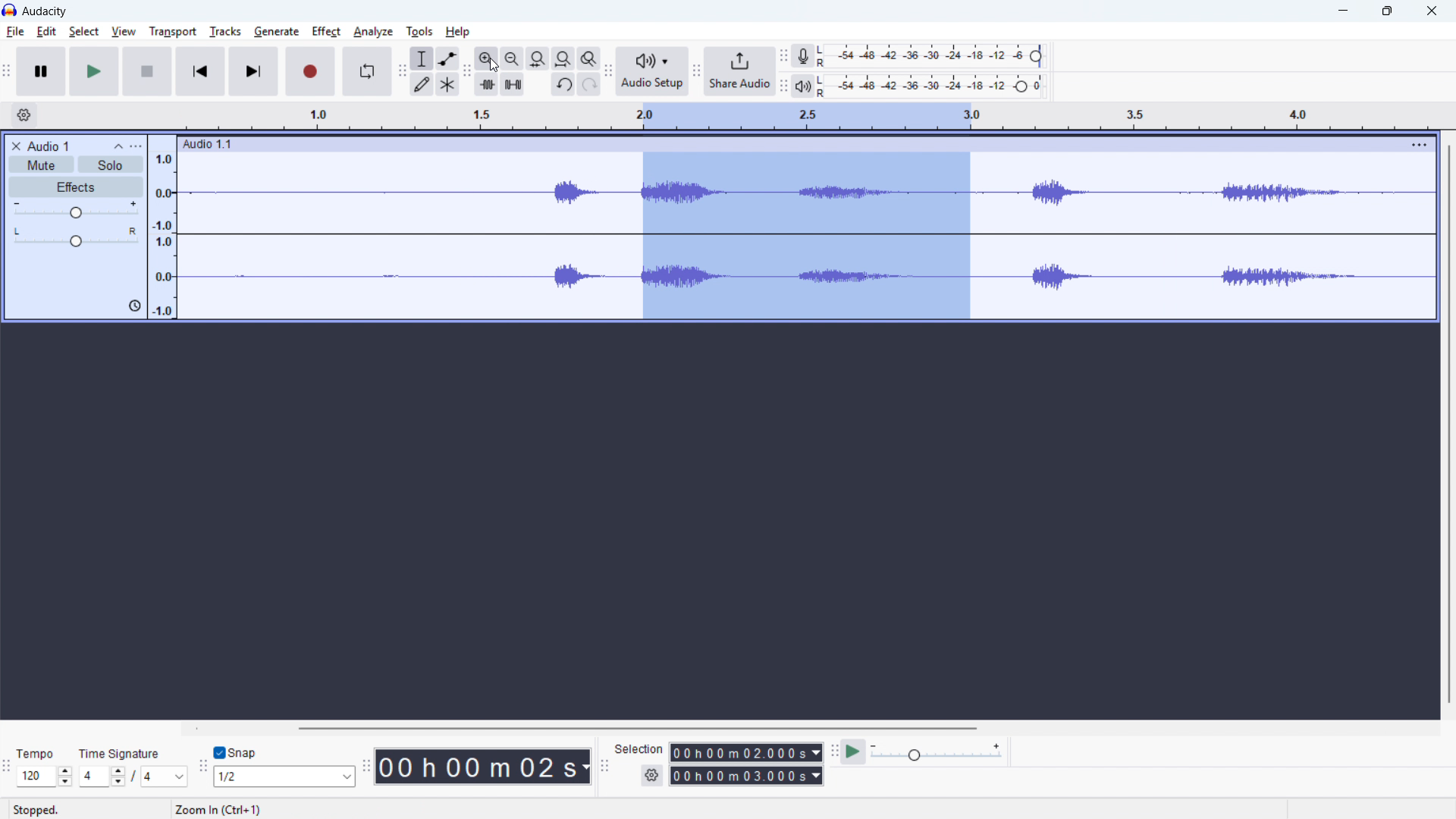 The height and width of the screenshot is (819, 1456). Describe the element at coordinates (325, 30) in the screenshot. I see `Perfect` at that location.